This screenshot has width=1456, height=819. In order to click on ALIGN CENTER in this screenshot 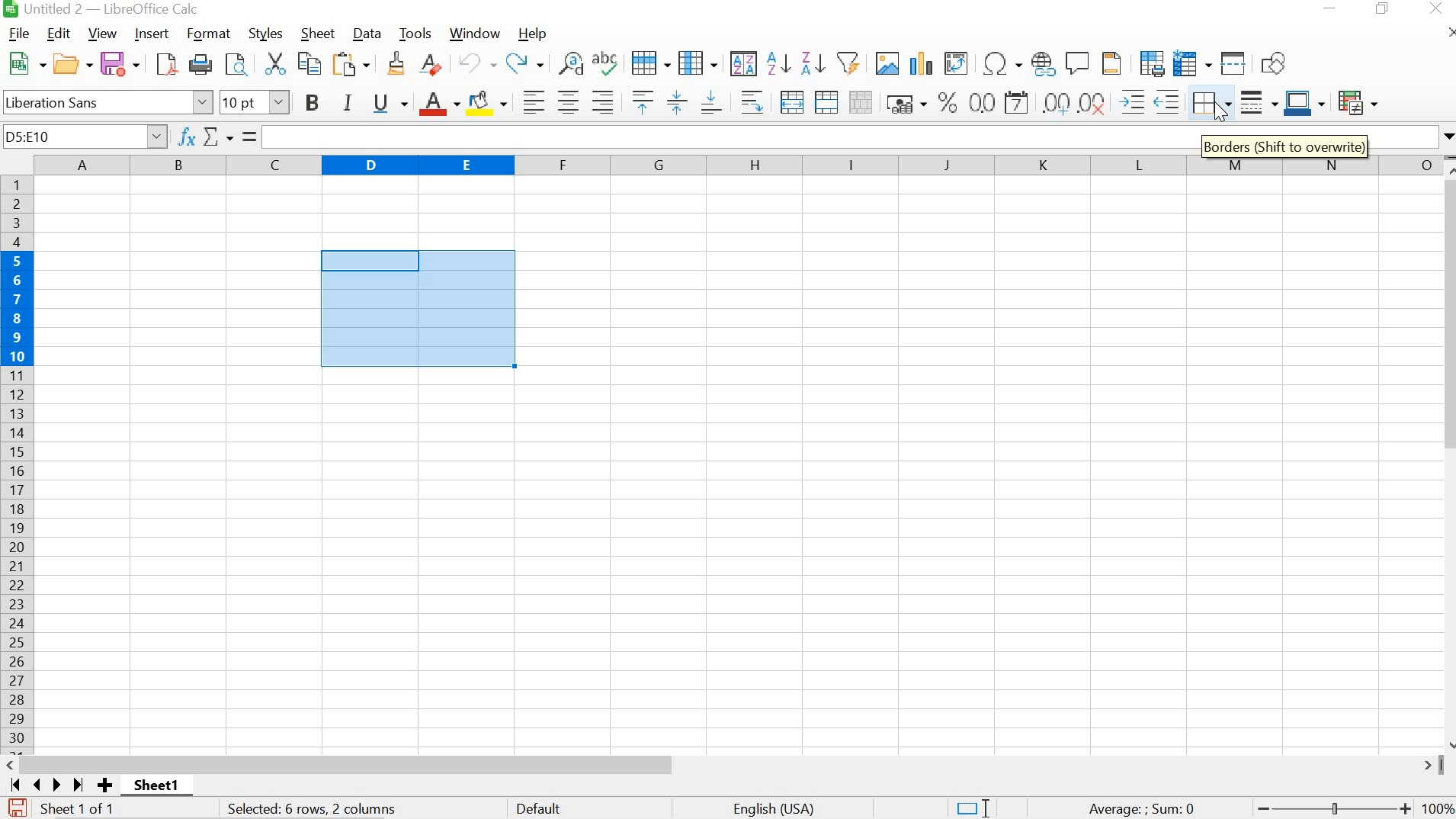, I will do `click(568, 101)`.